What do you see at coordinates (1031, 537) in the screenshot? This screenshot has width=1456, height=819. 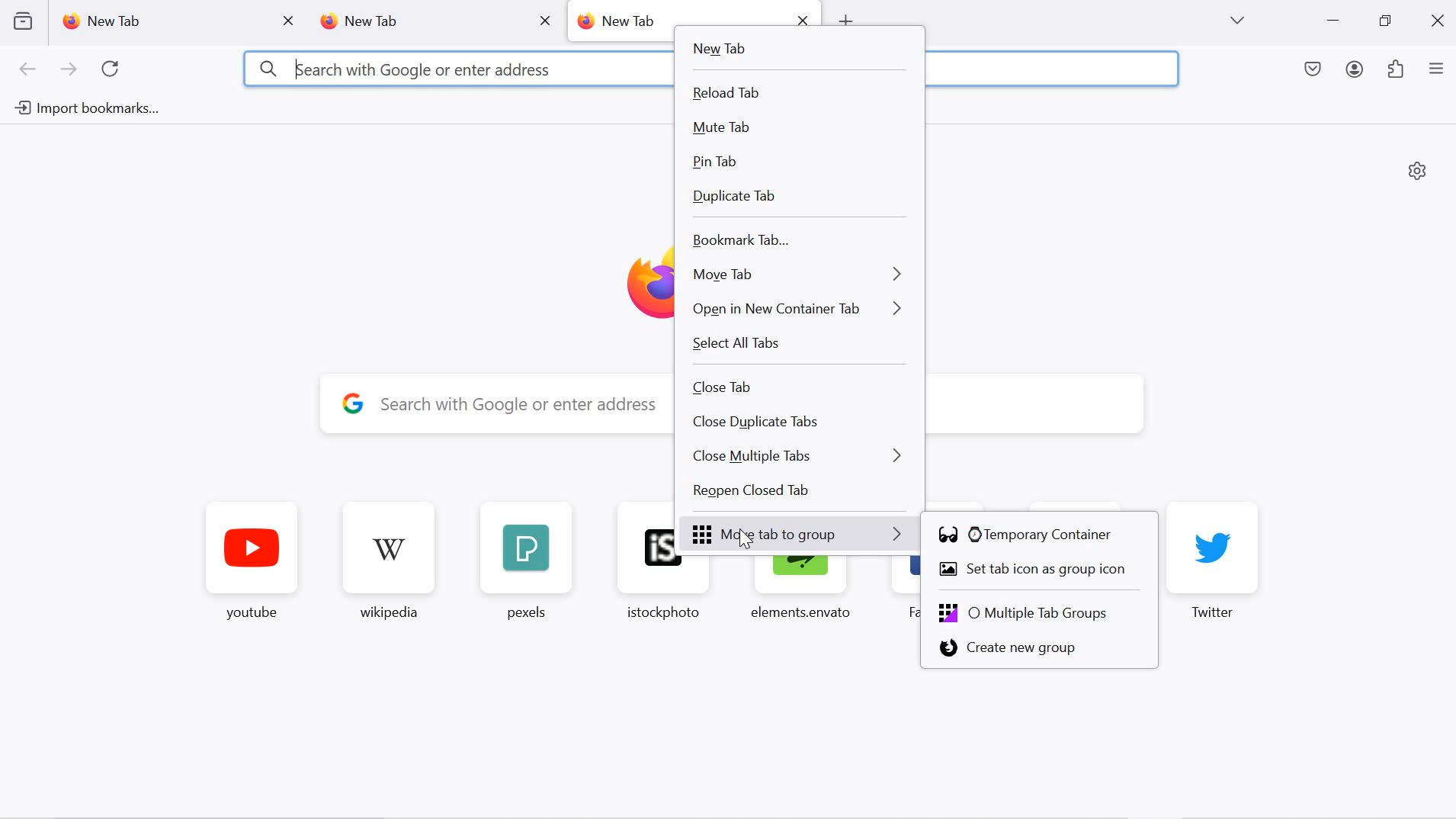 I see `temporary container` at bounding box center [1031, 537].